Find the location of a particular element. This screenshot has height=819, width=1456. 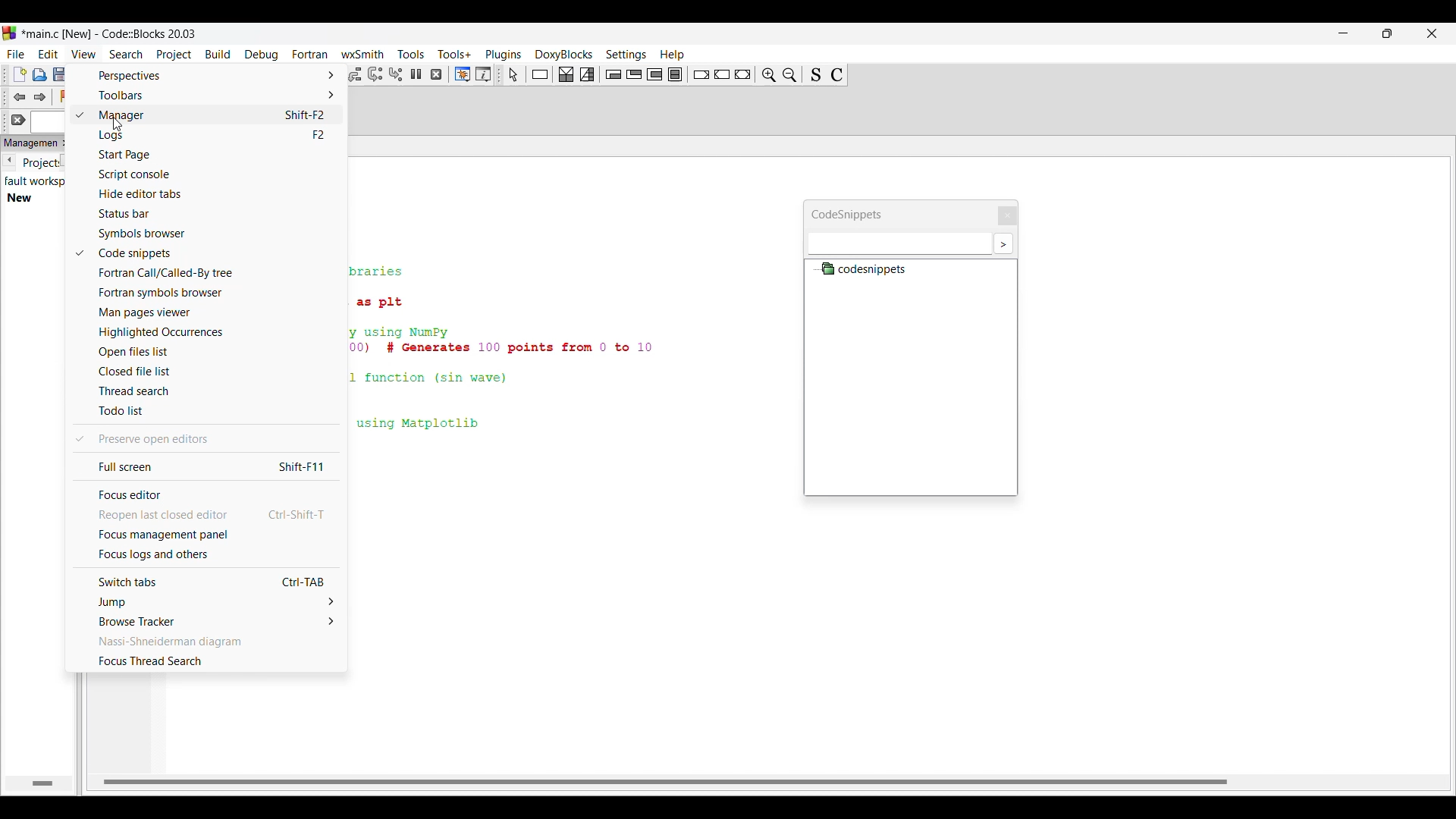

Jump options is located at coordinates (207, 602).